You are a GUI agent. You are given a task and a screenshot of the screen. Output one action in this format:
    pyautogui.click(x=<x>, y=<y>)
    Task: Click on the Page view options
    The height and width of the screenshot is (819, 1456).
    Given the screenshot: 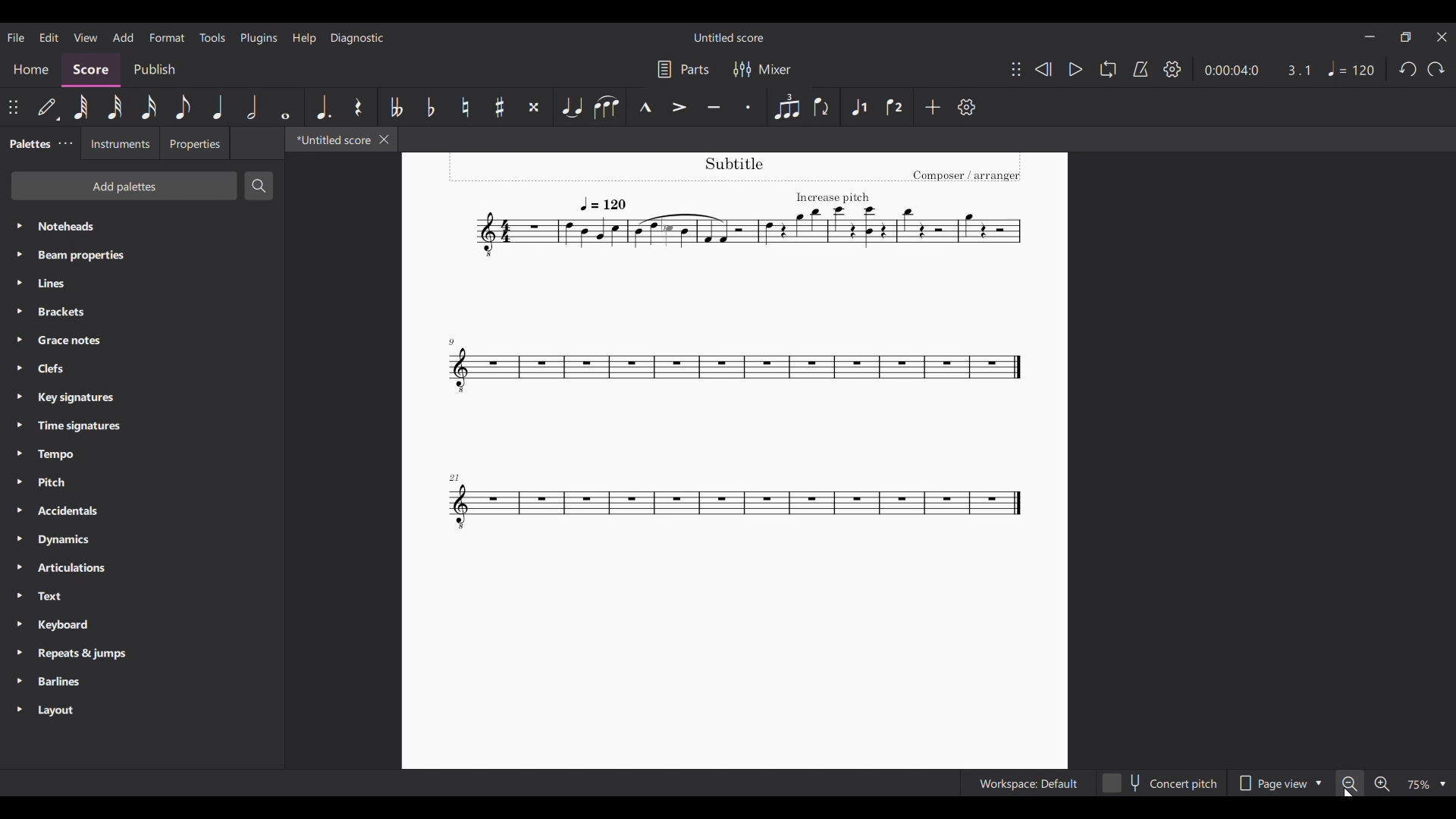 What is the action you would take?
    pyautogui.click(x=1279, y=783)
    